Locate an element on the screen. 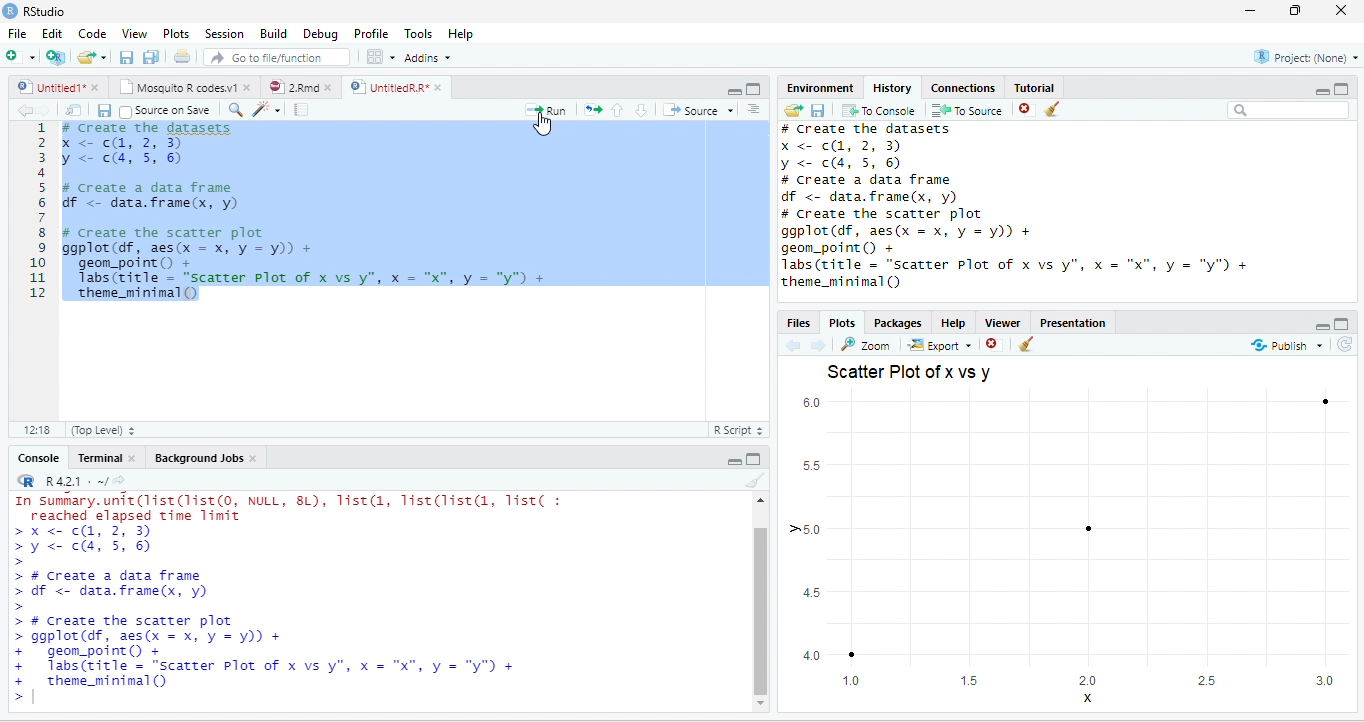 The image size is (1364, 722). UntitledR.R* is located at coordinates (387, 87).